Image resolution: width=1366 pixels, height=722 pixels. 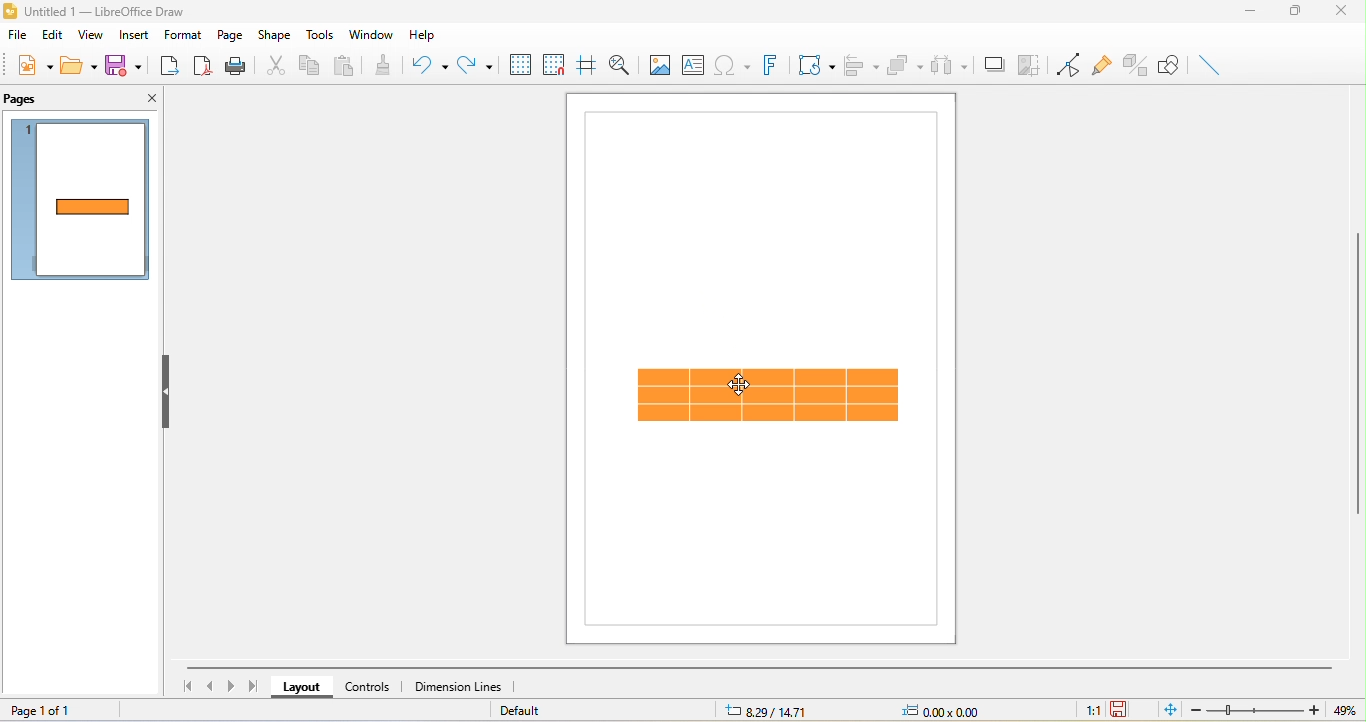 What do you see at coordinates (274, 35) in the screenshot?
I see `shape` at bounding box center [274, 35].